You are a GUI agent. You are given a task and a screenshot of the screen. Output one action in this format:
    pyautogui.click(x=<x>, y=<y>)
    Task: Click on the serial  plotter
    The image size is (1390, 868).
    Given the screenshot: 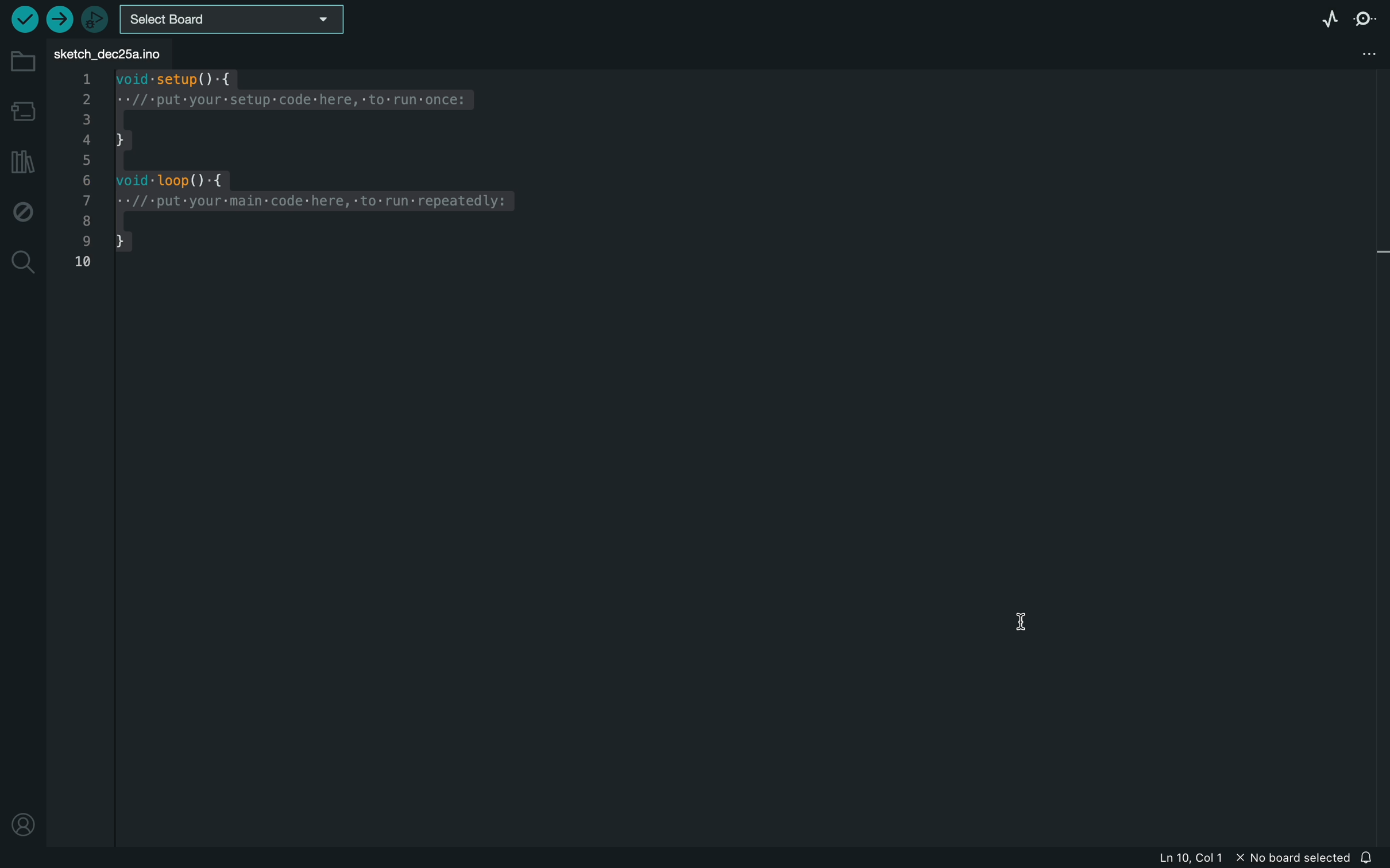 What is the action you would take?
    pyautogui.click(x=1329, y=17)
    